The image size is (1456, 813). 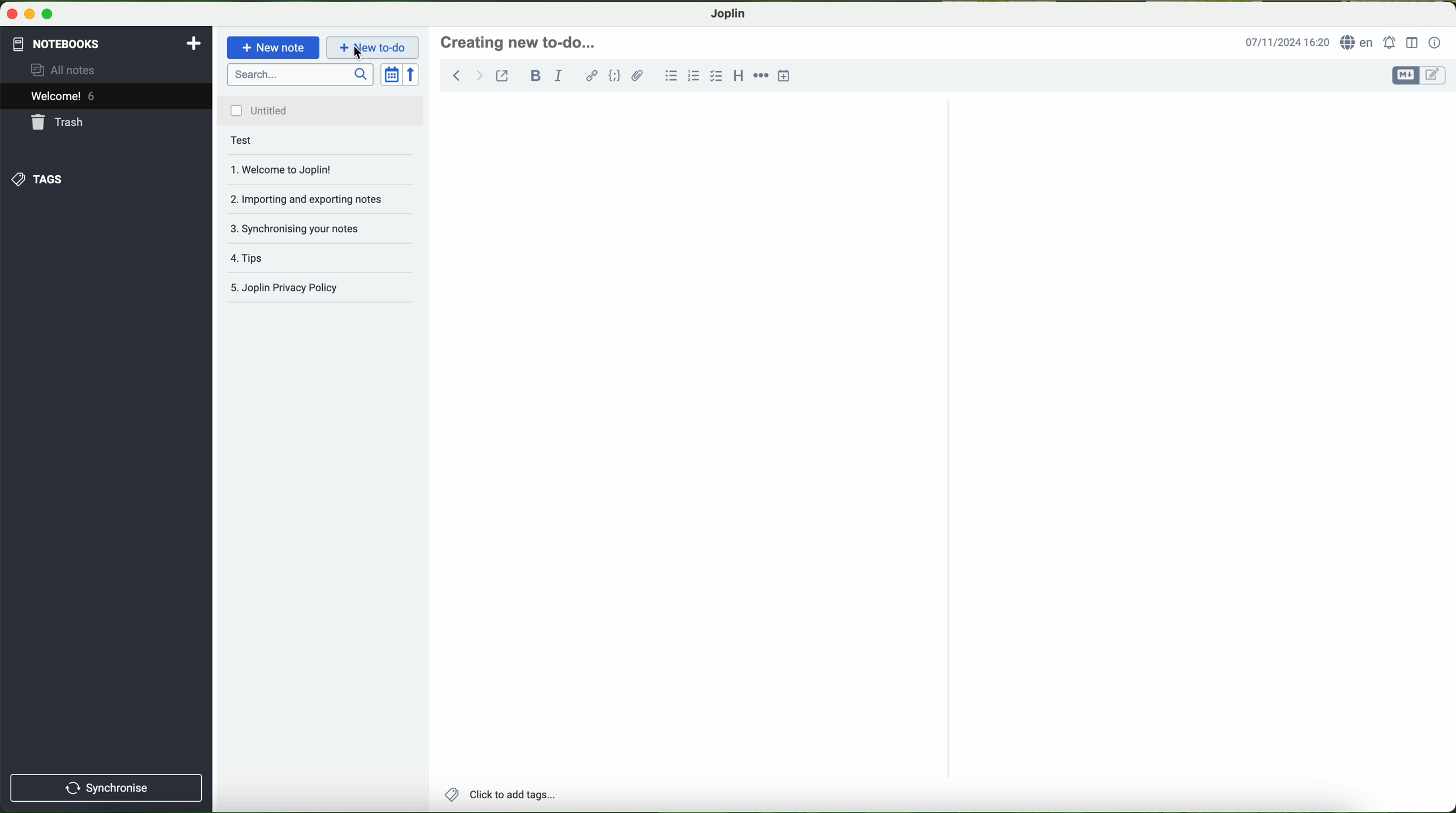 What do you see at coordinates (615, 75) in the screenshot?
I see `code` at bounding box center [615, 75].